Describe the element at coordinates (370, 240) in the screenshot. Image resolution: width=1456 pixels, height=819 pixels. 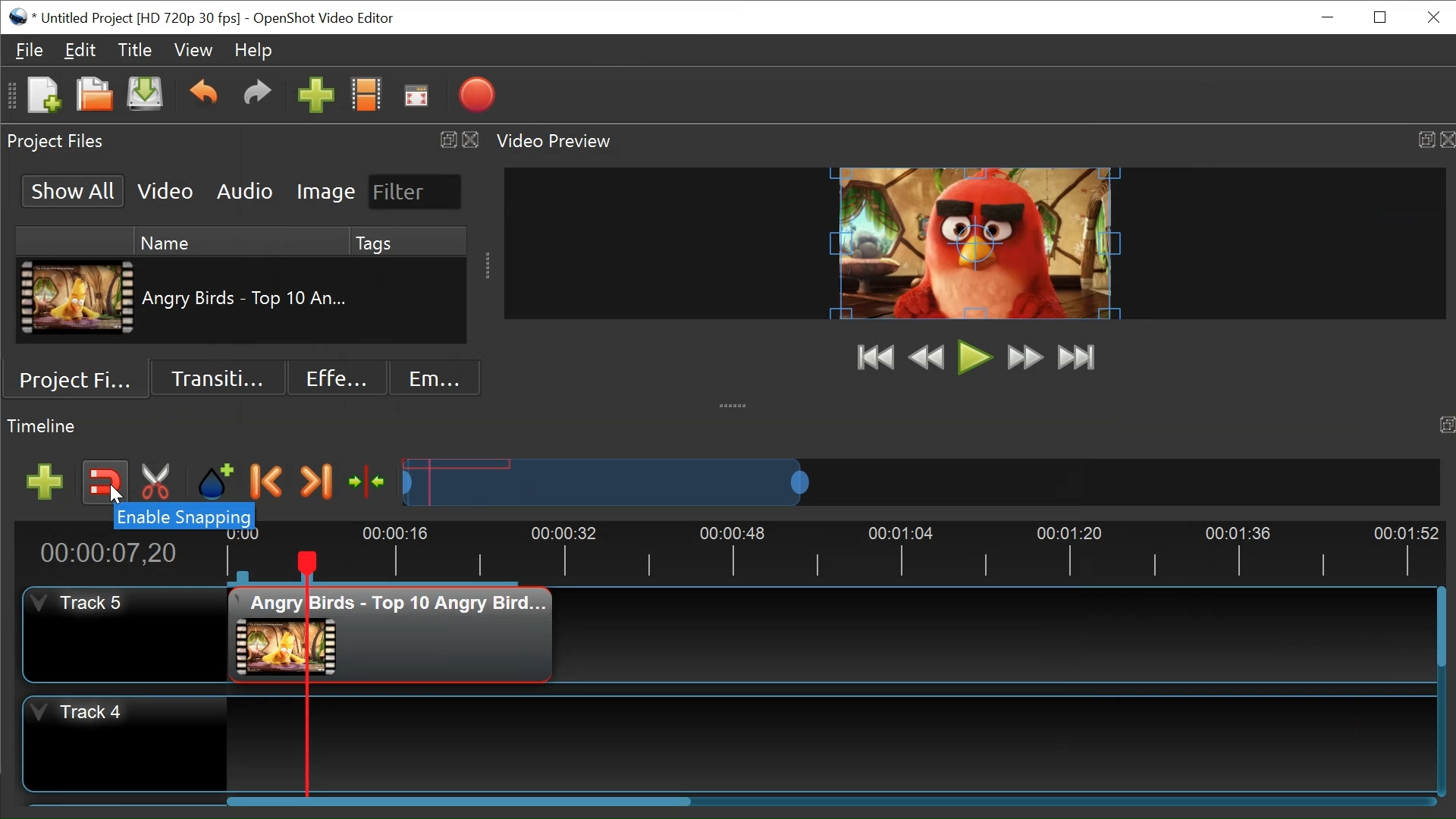
I see `Tags` at that location.